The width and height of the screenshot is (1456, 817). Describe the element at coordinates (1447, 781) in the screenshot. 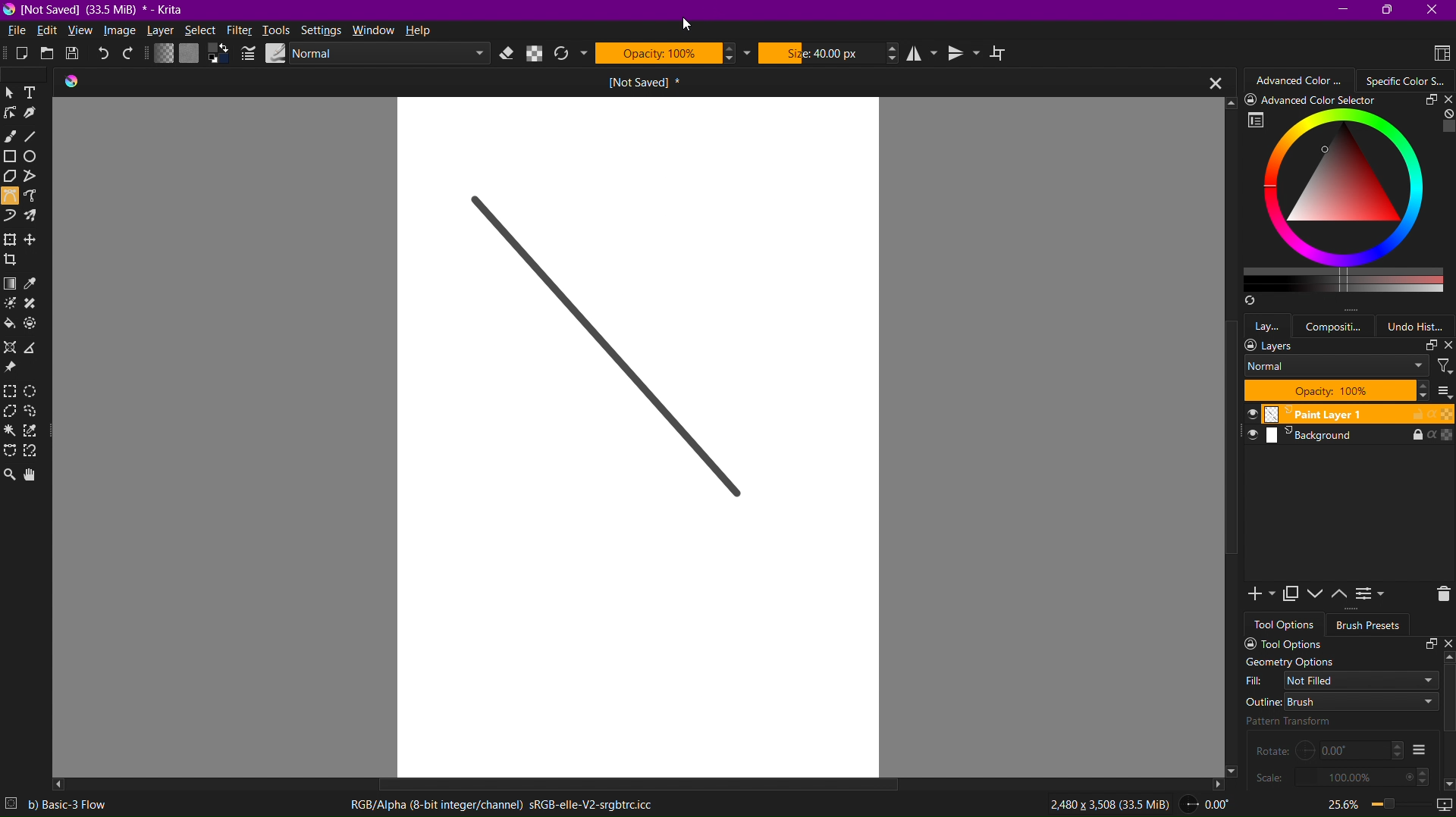

I see `down` at that location.